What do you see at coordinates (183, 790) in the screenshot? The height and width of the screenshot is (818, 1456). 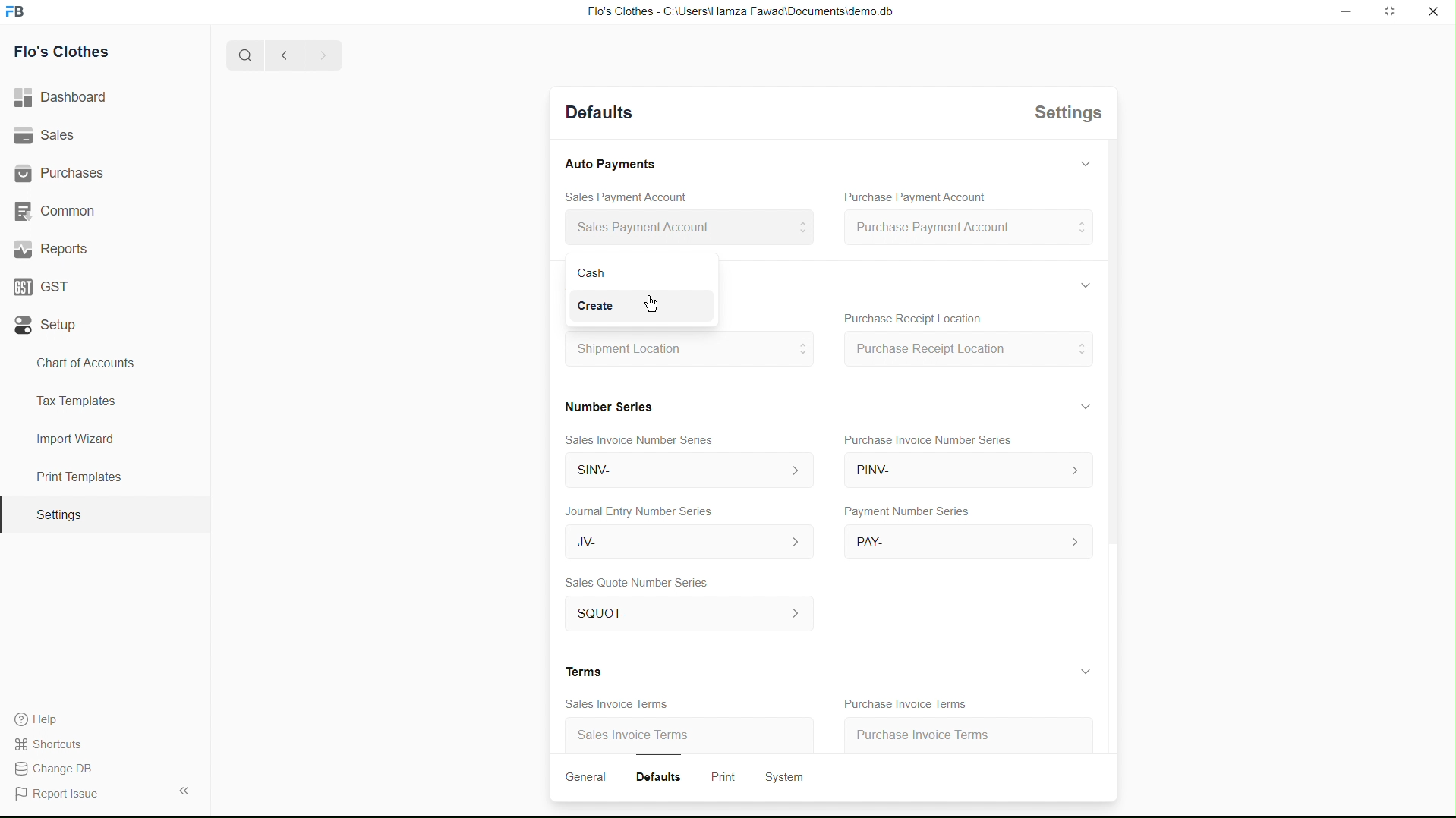 I see `Collapse` at bounding box center [183, 790].